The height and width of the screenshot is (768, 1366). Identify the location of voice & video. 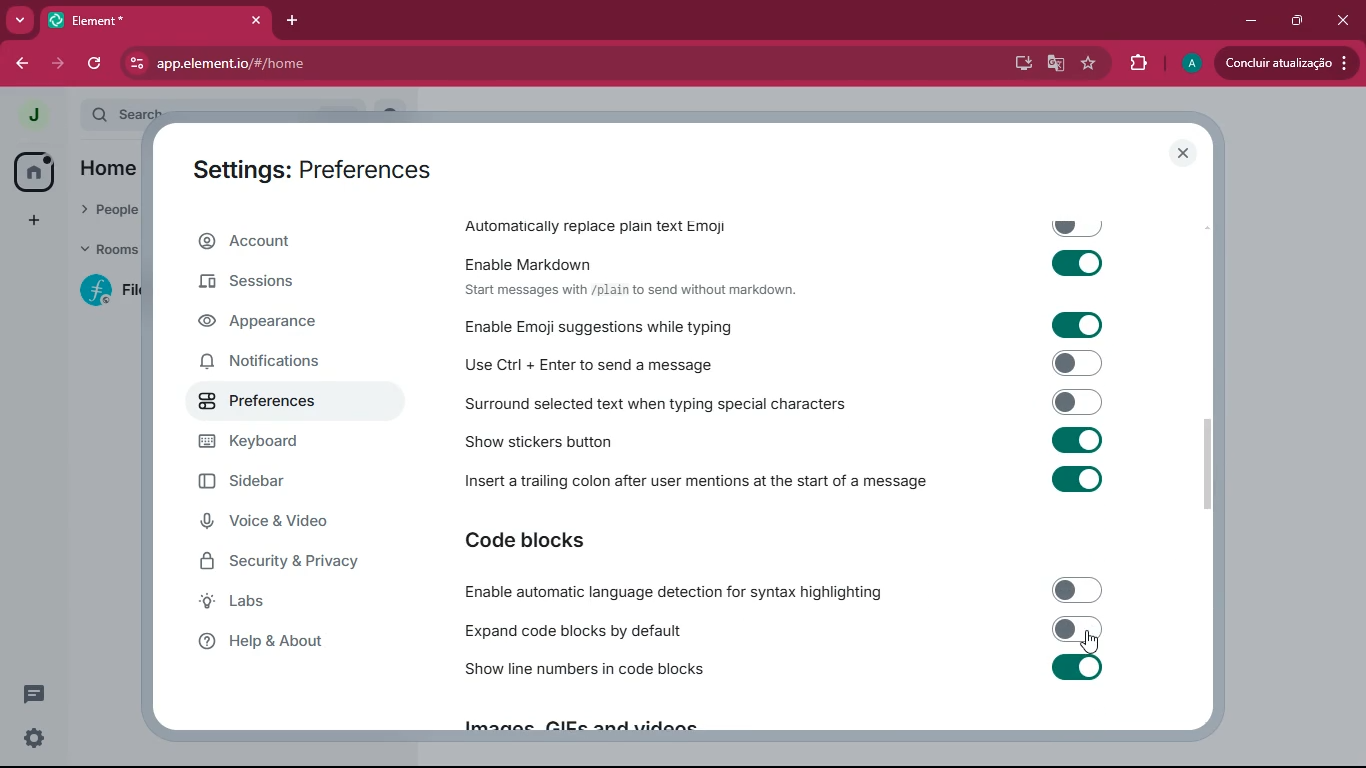
(293, 521).